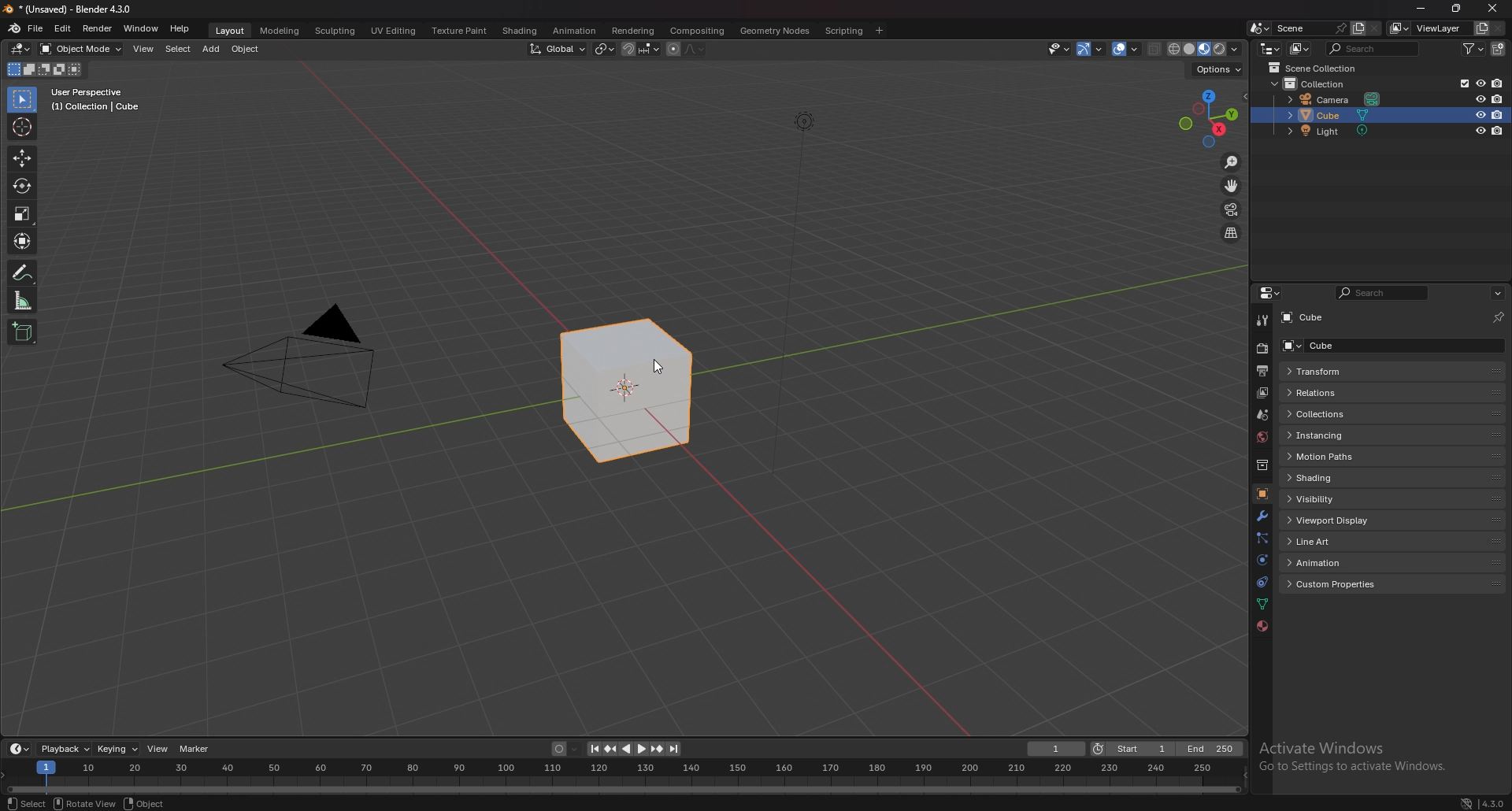 The height and width of the screenshot is (811, 1512). Describe the element at coordinates (1262, 371) in the screenshot. I see `output` at that location.